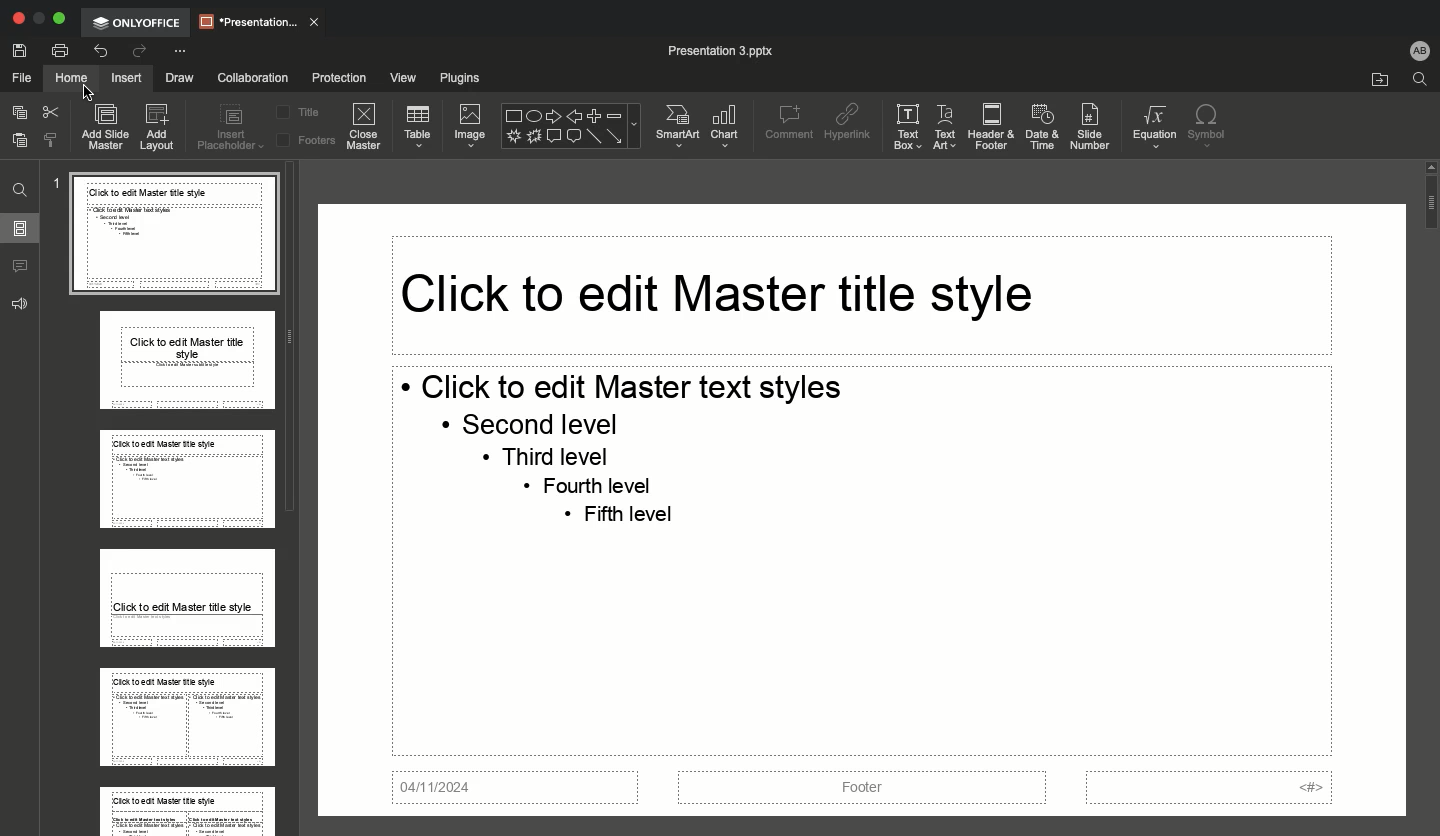  I want to click on «+ Fifth level, so click(626, 518).